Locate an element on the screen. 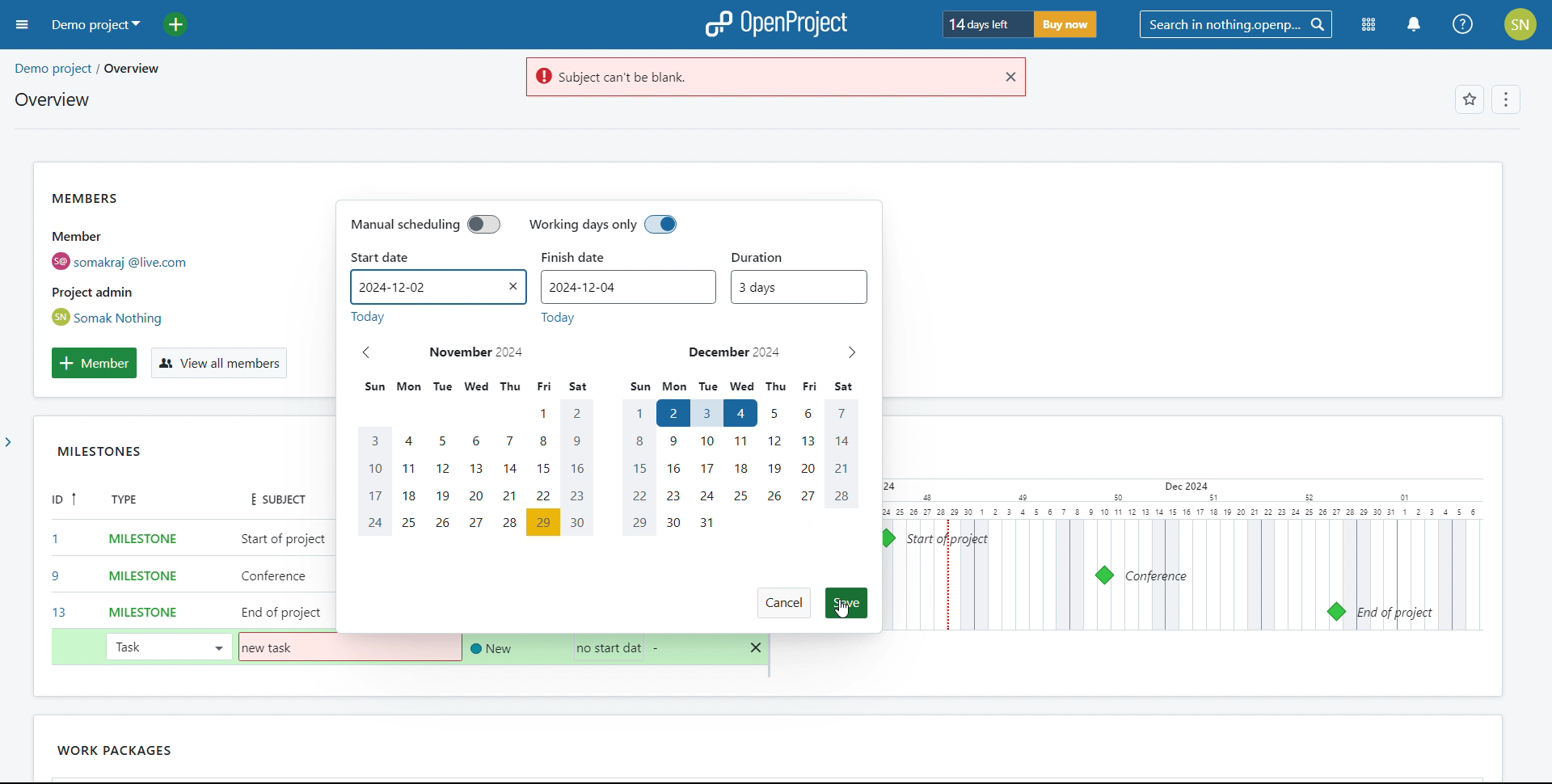  december 2024 is located at coordinates (733, 352).